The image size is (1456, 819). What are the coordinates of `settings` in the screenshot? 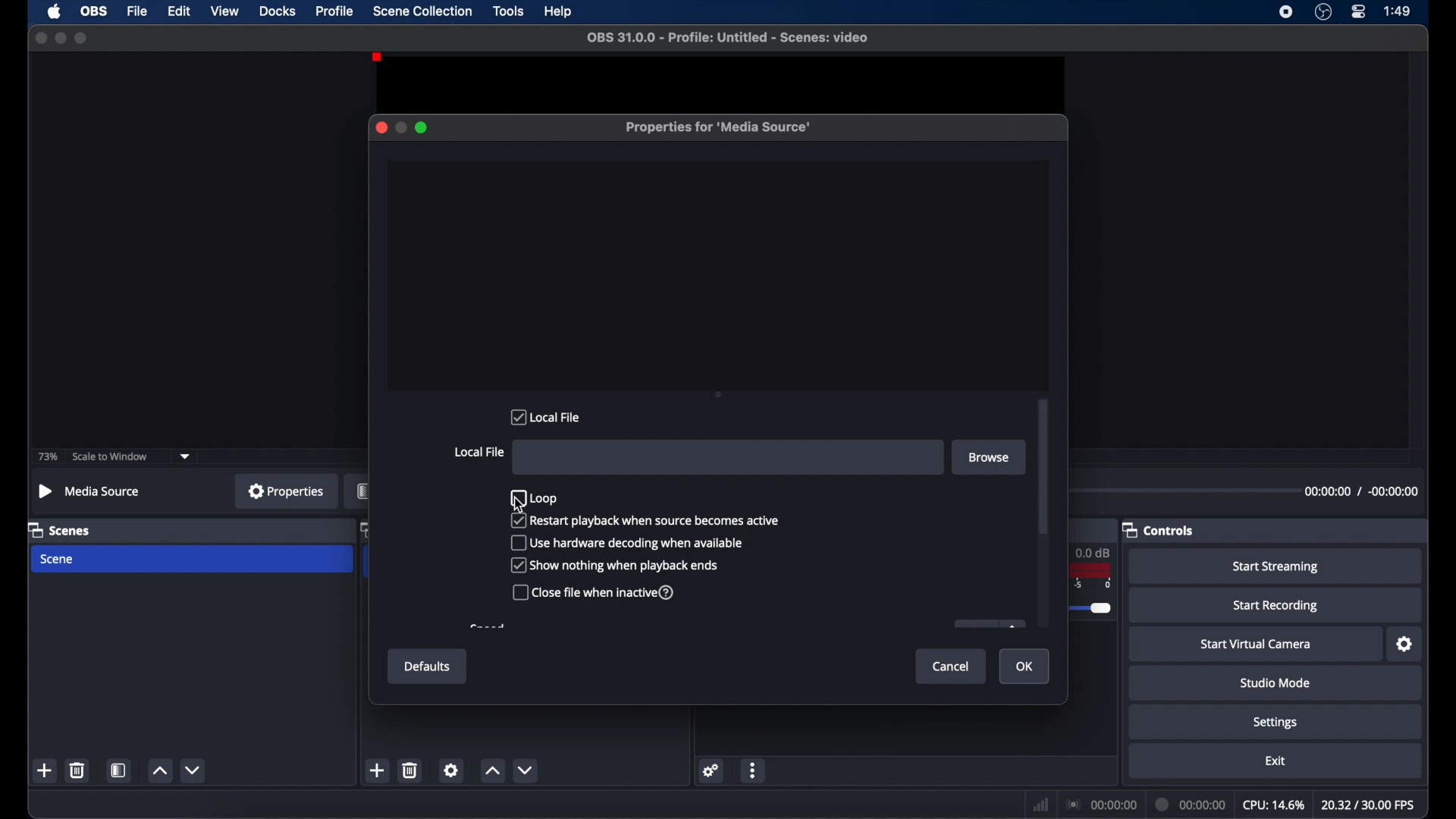 It's located at (450, 771).